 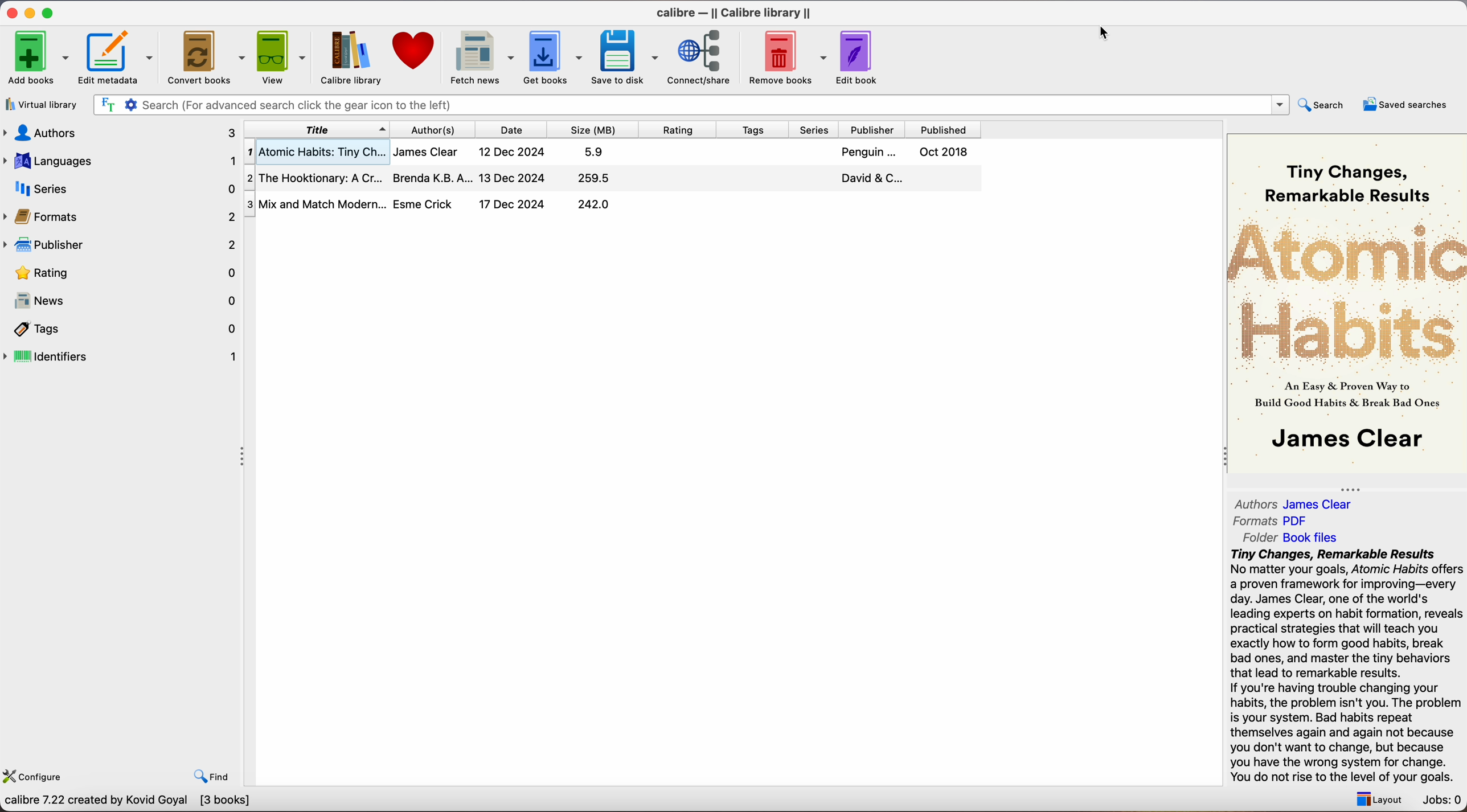 I want to click on cursor, so click(x=1103, y=32).